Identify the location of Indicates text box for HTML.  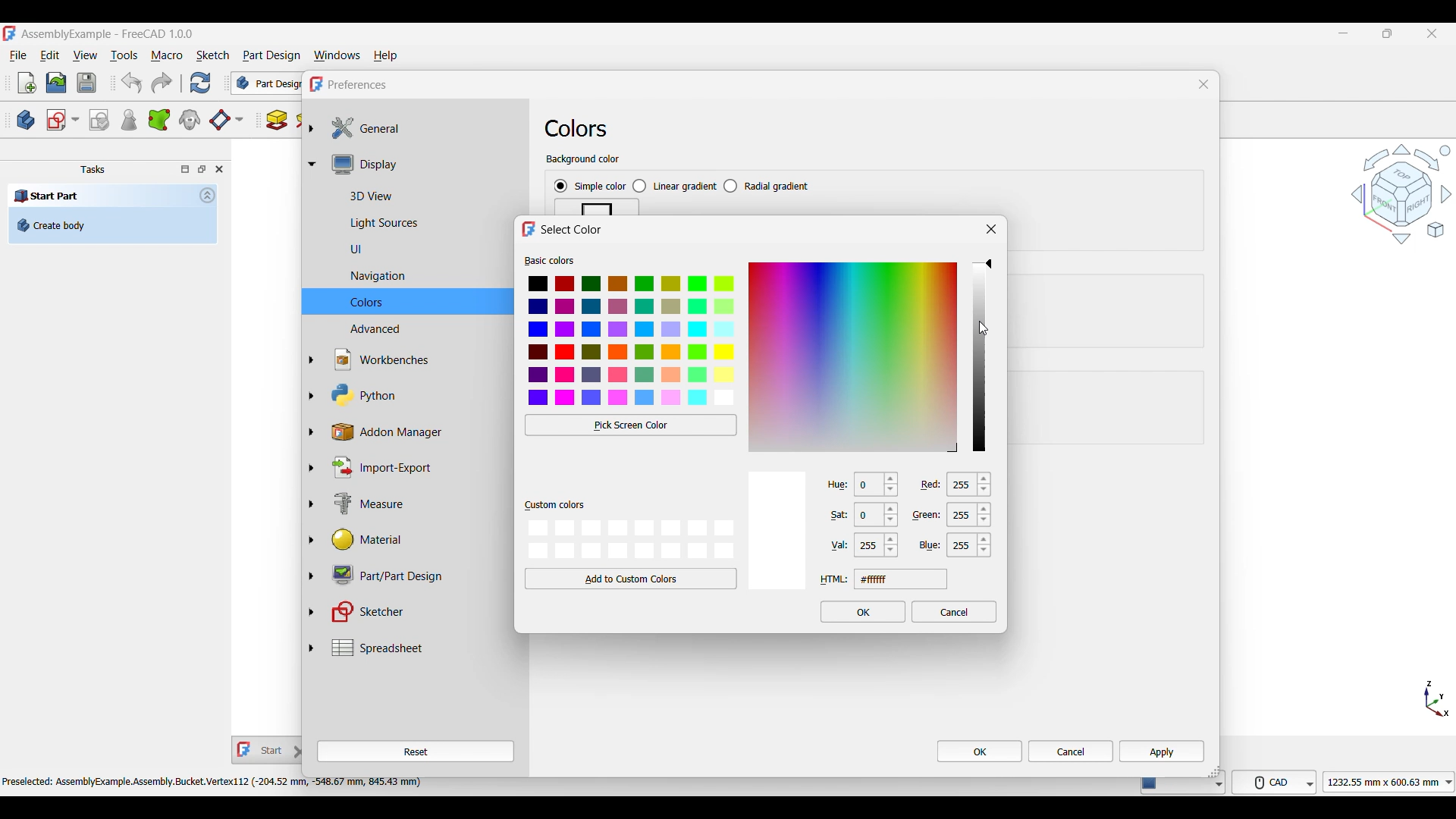
(834, 579).